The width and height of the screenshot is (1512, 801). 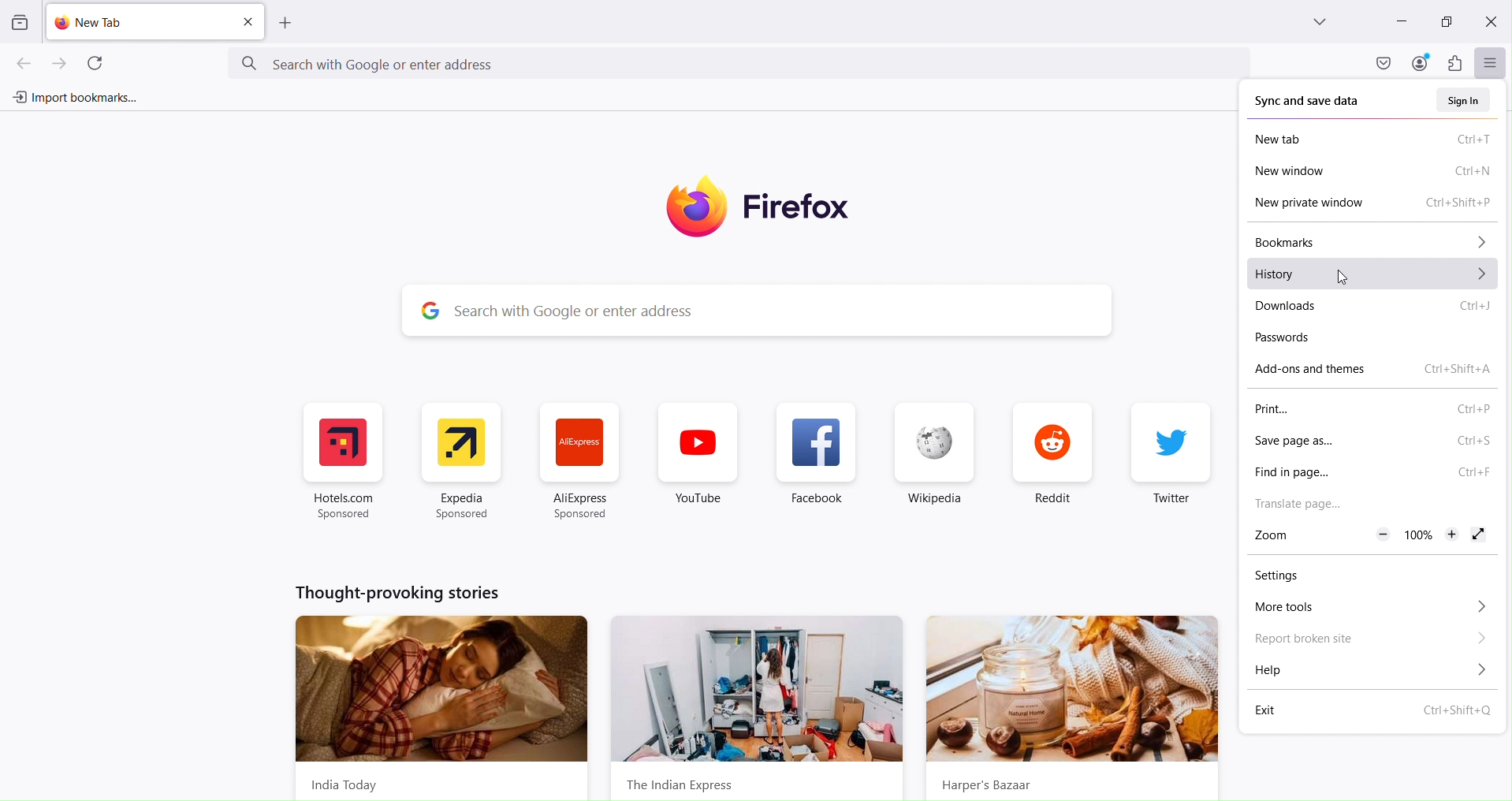 I want to click on Refresh, so click(x=95, y=61).